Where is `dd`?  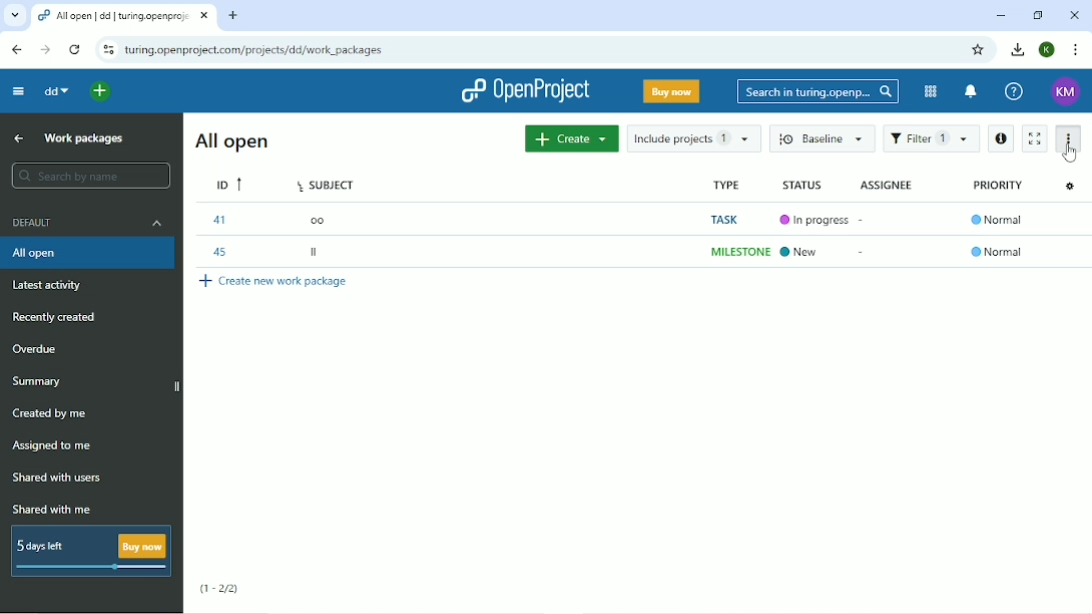 dd is located at coordinates (57, 90).